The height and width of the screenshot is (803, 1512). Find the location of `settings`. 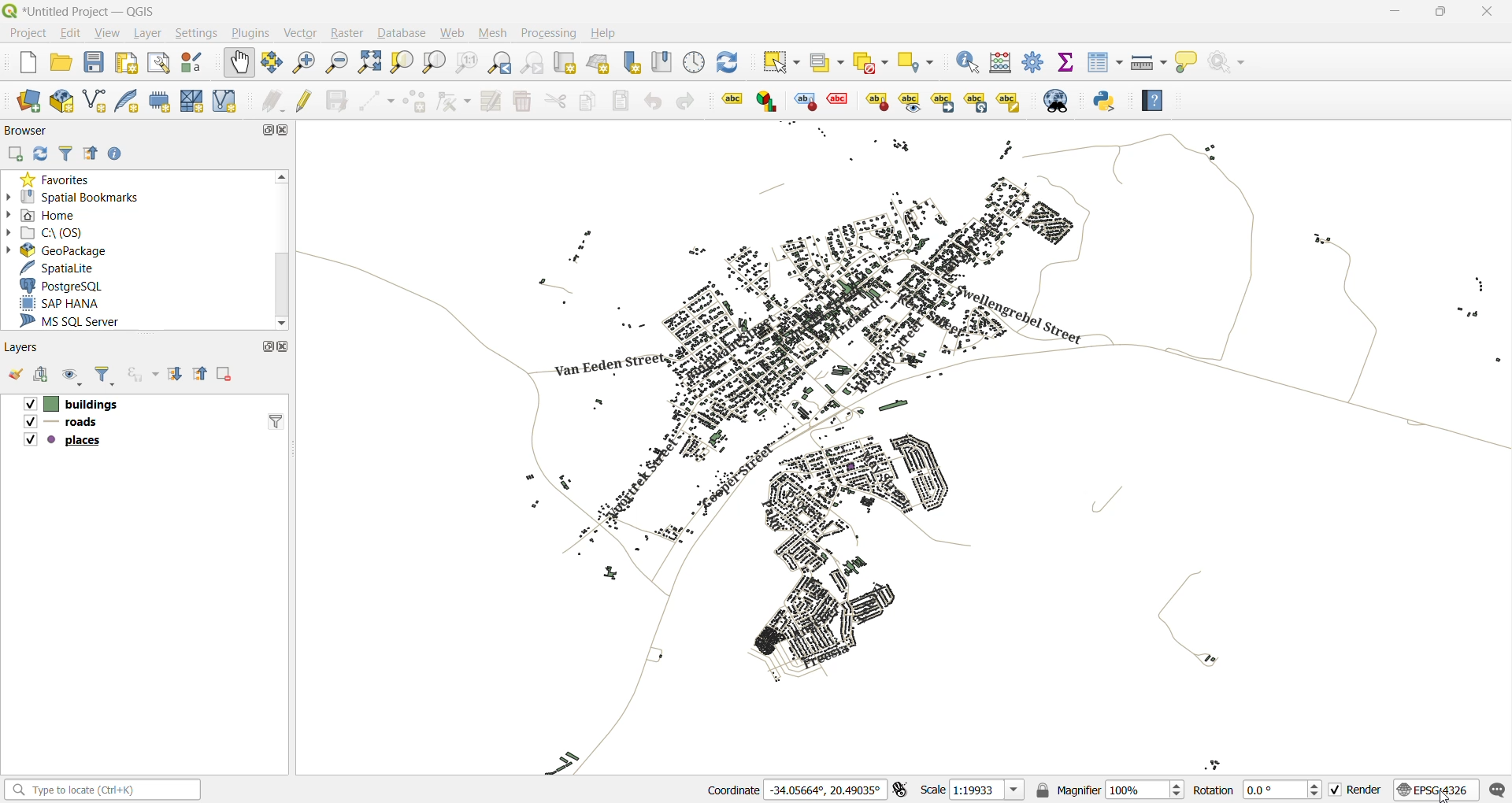

settings is located at coordinates (197, 35).